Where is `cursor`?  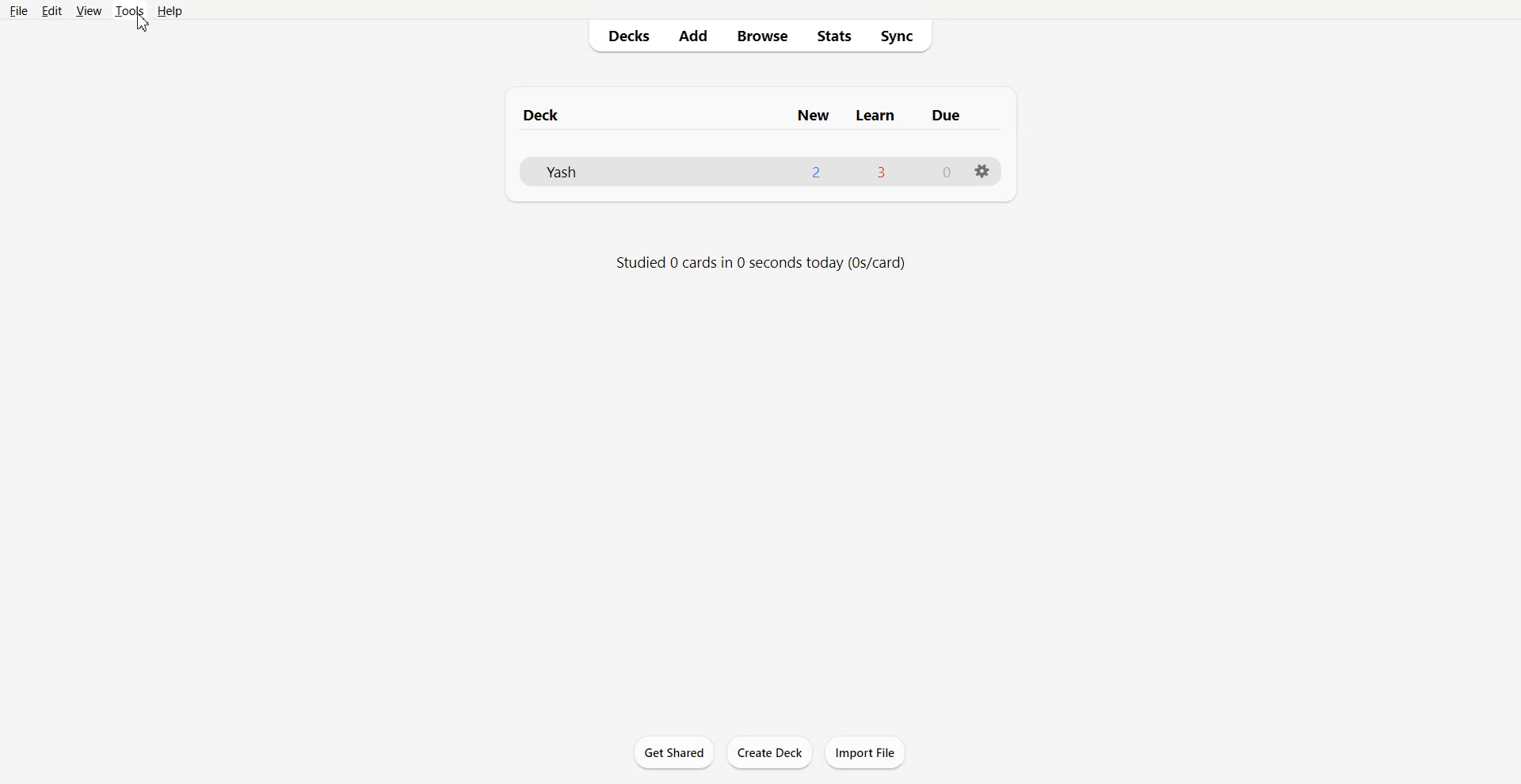
cursor is located at coordinates (143, 26).